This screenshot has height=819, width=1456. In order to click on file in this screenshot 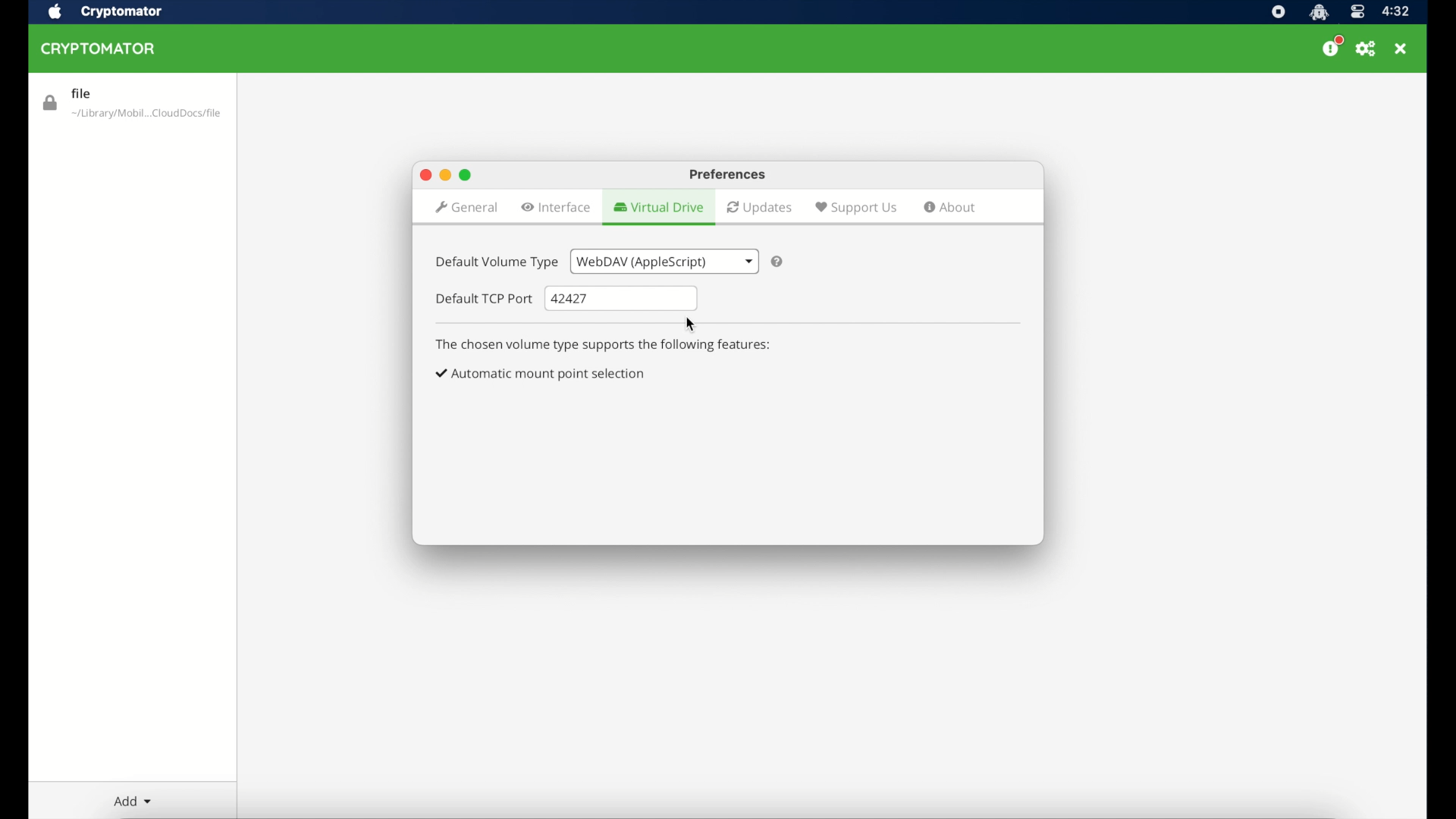, I will do `click(131, 104)`.